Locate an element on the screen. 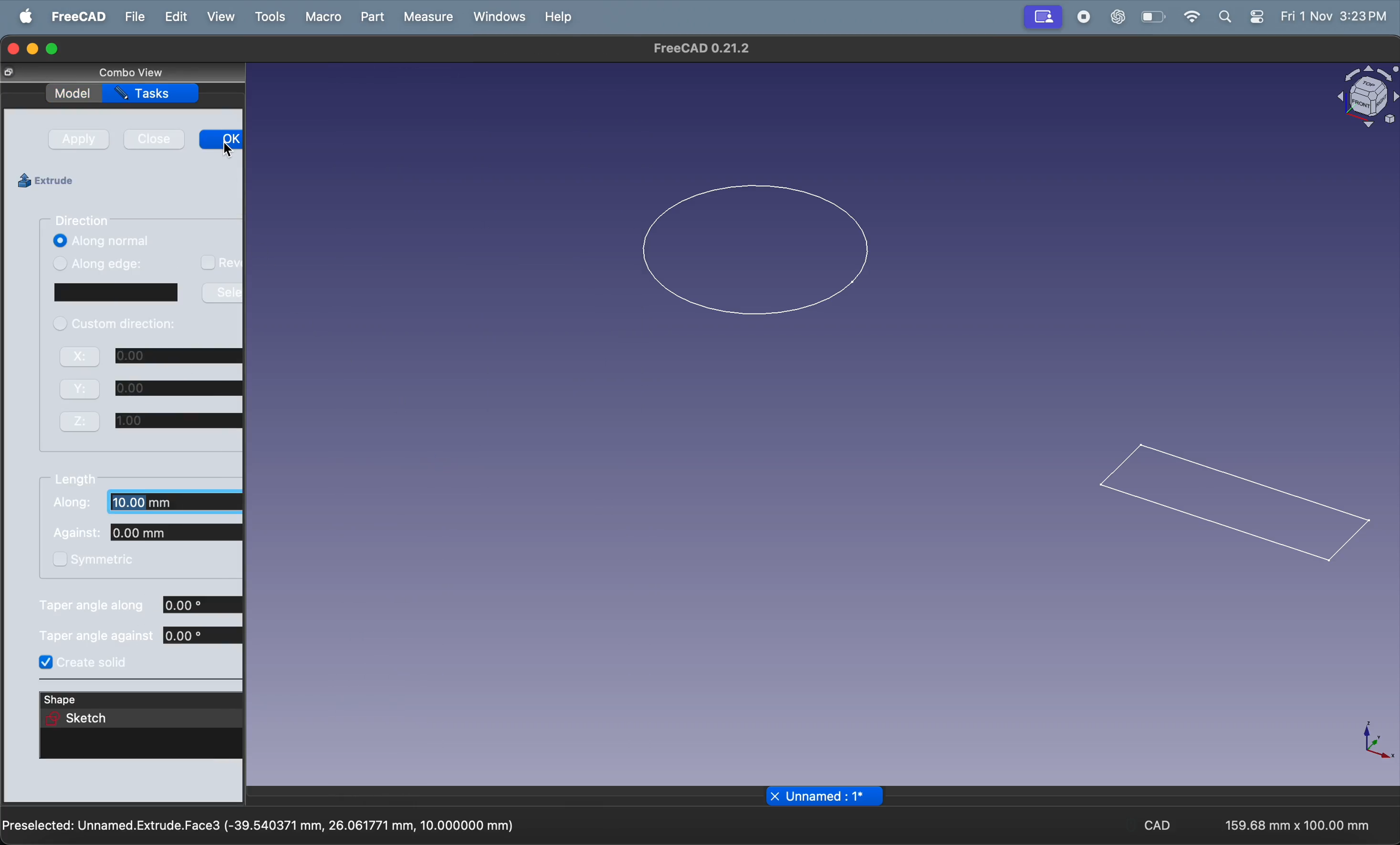 Image resolution: width=1400 pixels, height=845 pixels. 0.00 is located at coordinates (202, 636).